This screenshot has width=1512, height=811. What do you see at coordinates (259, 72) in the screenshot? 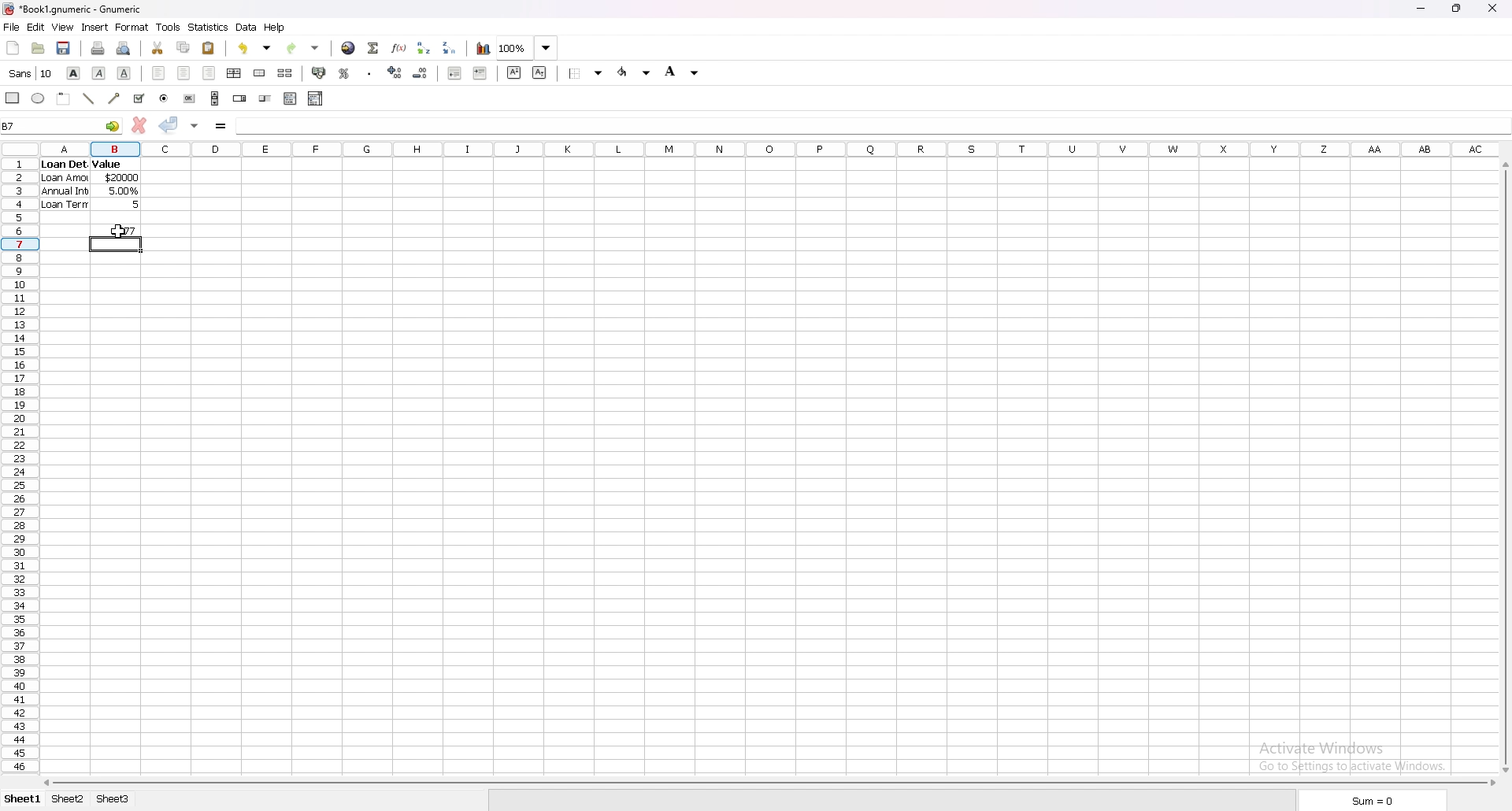
I see `merge cells` at bounding box center [259, 72].